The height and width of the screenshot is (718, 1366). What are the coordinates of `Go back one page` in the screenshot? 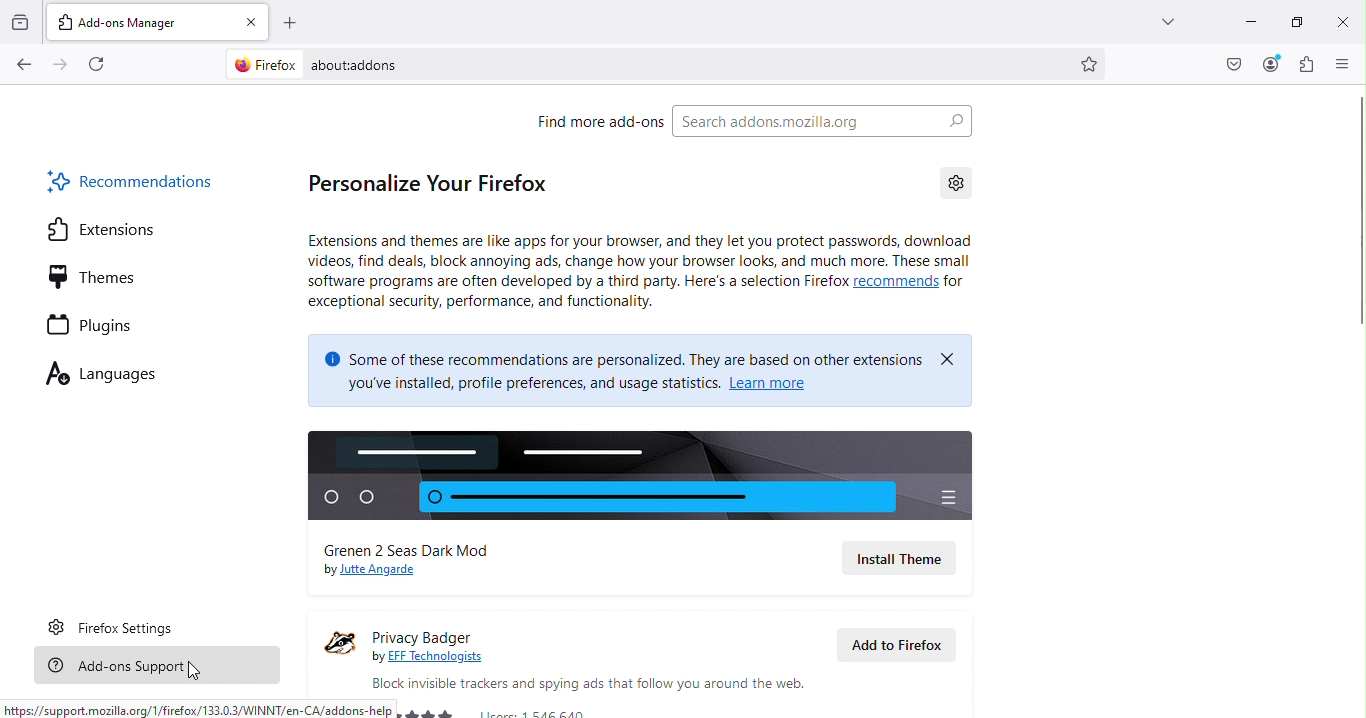 It's located at (26, 63).